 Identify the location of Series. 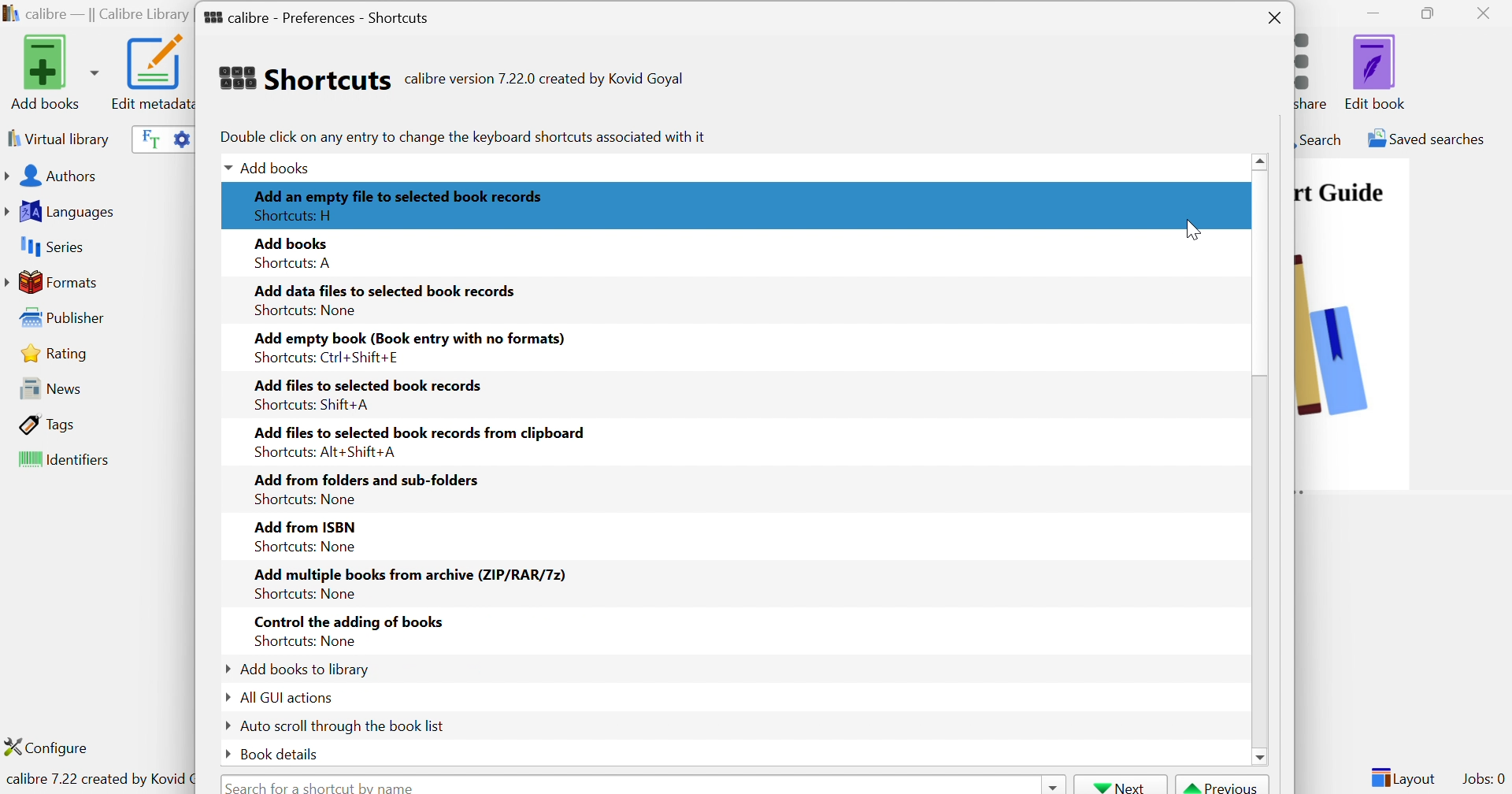
(50, 247).